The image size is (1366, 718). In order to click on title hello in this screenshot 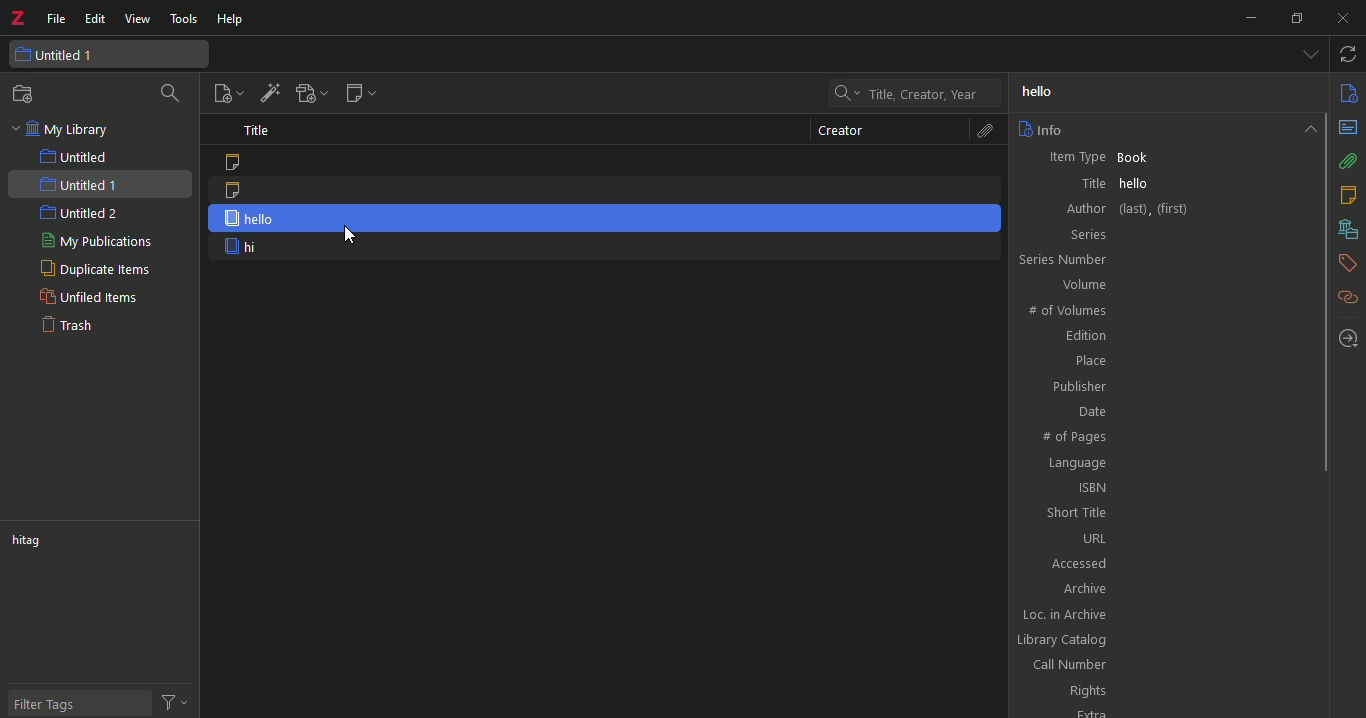, I will do `click(1115, 184)`.